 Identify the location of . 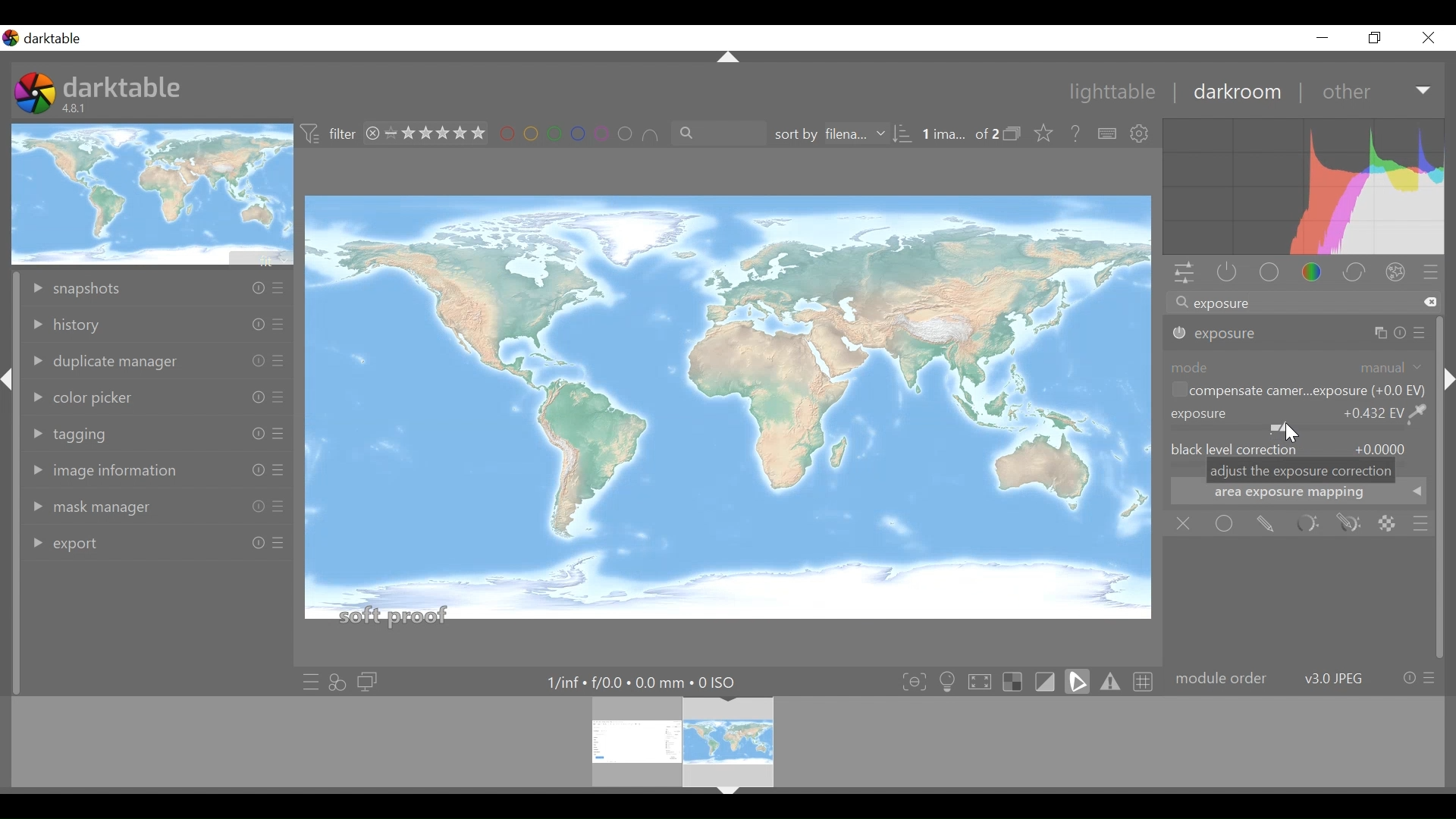
(279, 362).